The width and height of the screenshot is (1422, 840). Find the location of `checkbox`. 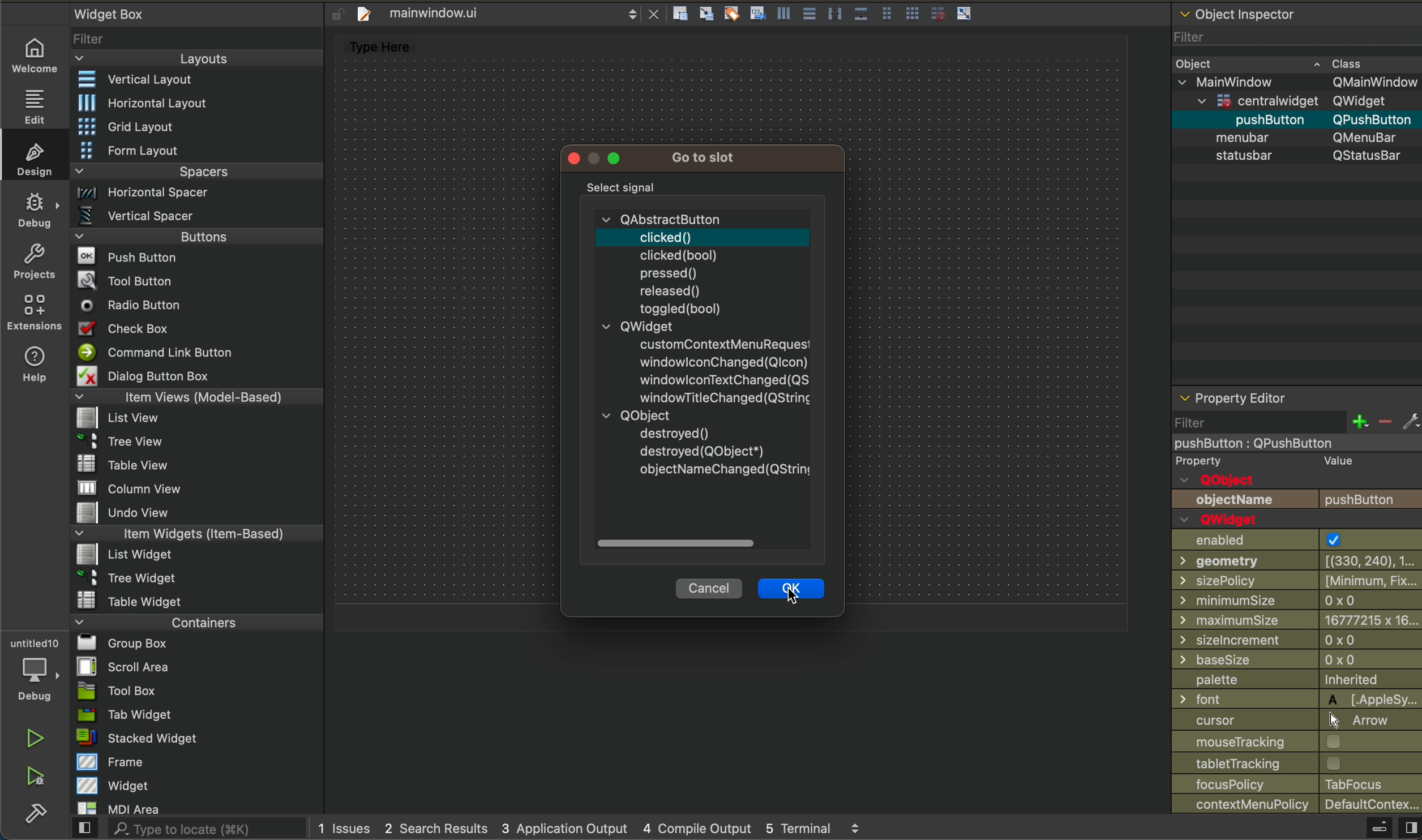

checkbox is located at coordinates (198, 330).